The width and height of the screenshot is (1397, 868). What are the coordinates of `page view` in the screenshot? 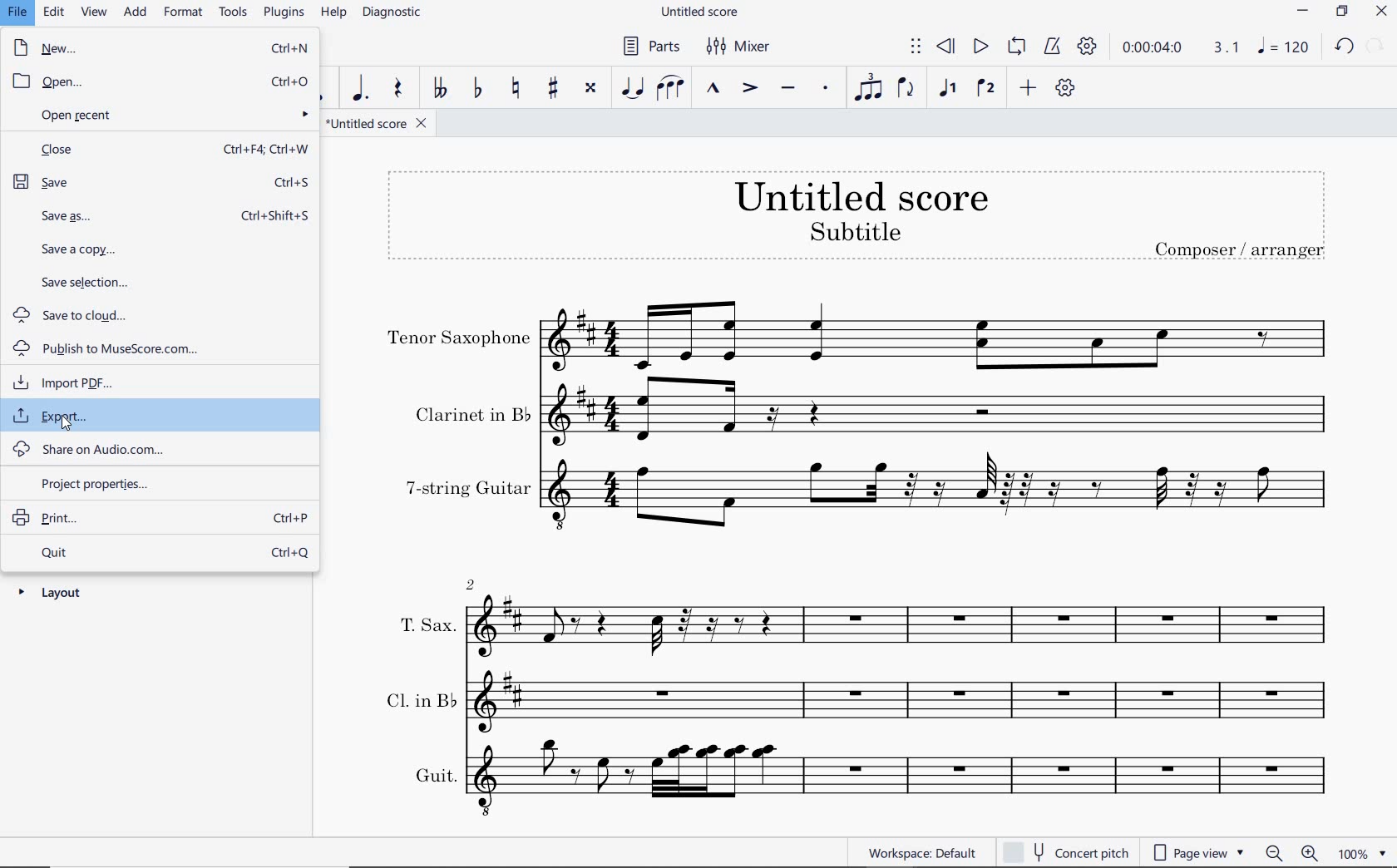 It's located at (1197, 851).